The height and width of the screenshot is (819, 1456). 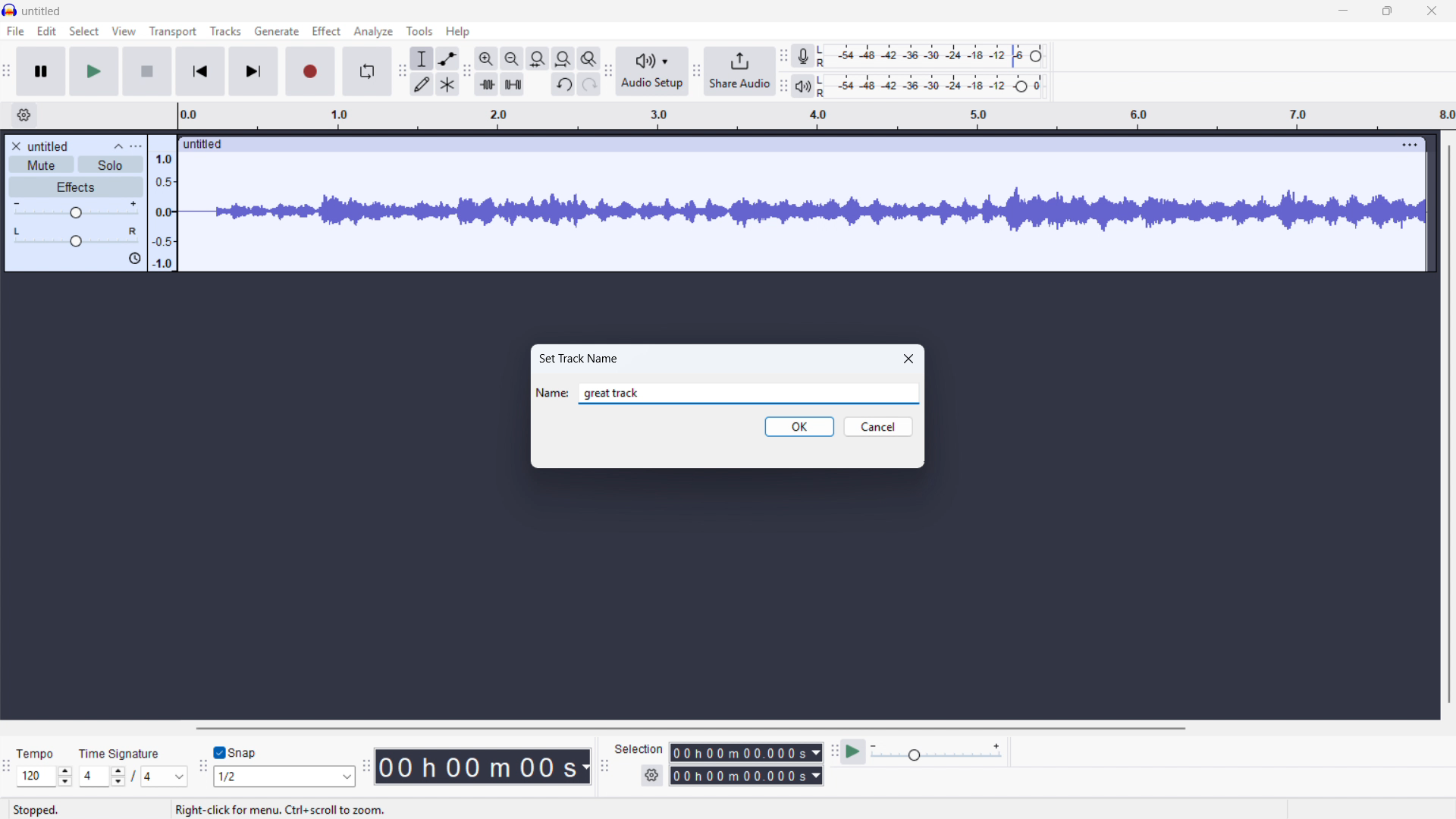 I want to click on mute , so click(x=41, y=165).